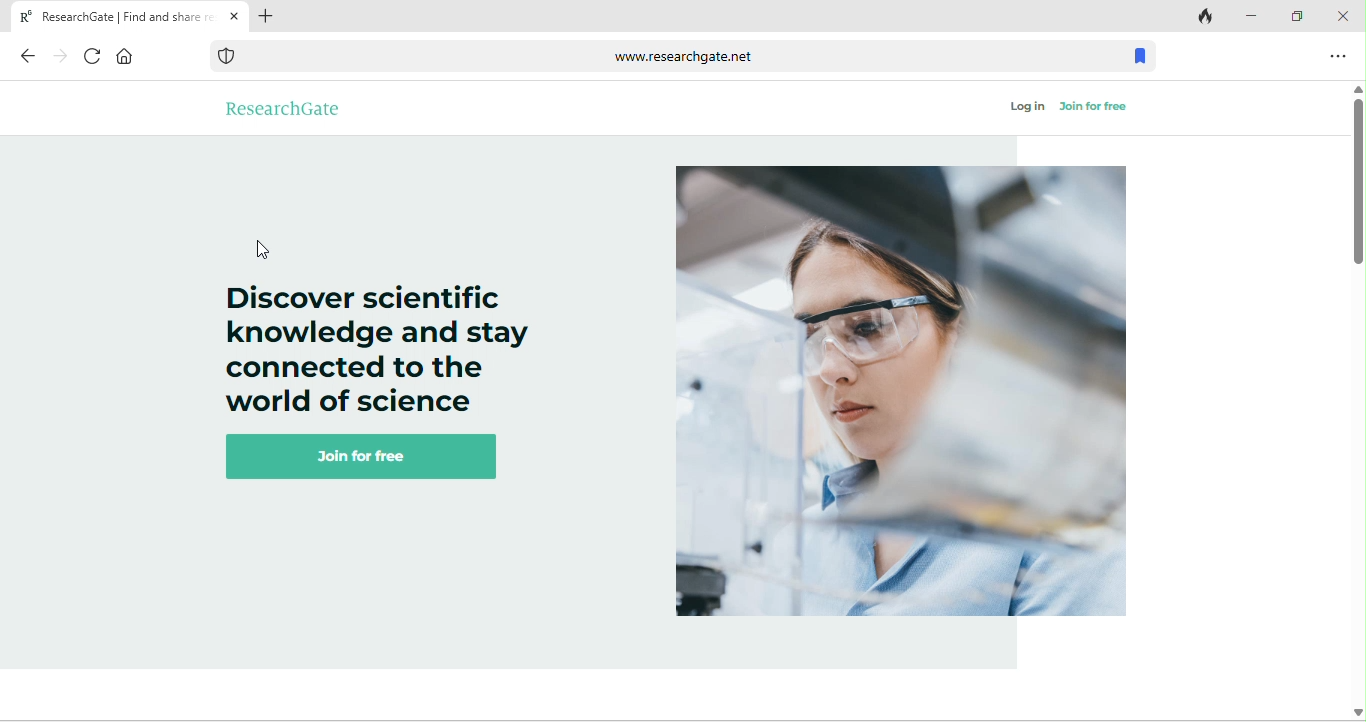 This screenshot has height=722, width=1366. Describe the element at coordinates (905, 392) in the screenshot. I see `image` at that location.